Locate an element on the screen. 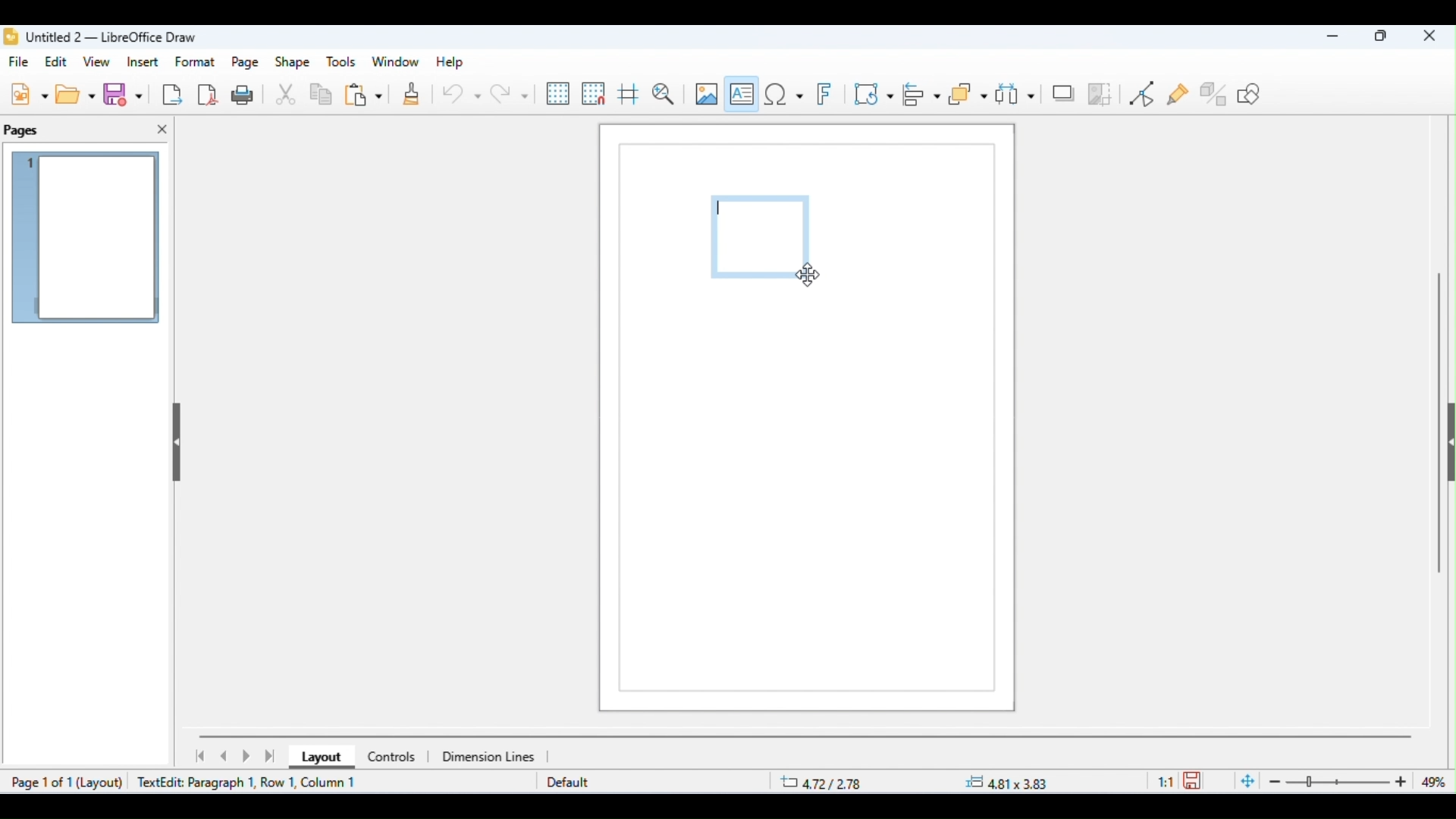 This screenshot has width=1456, height=819. show helplines while moving is located at coordinates (628, 96).